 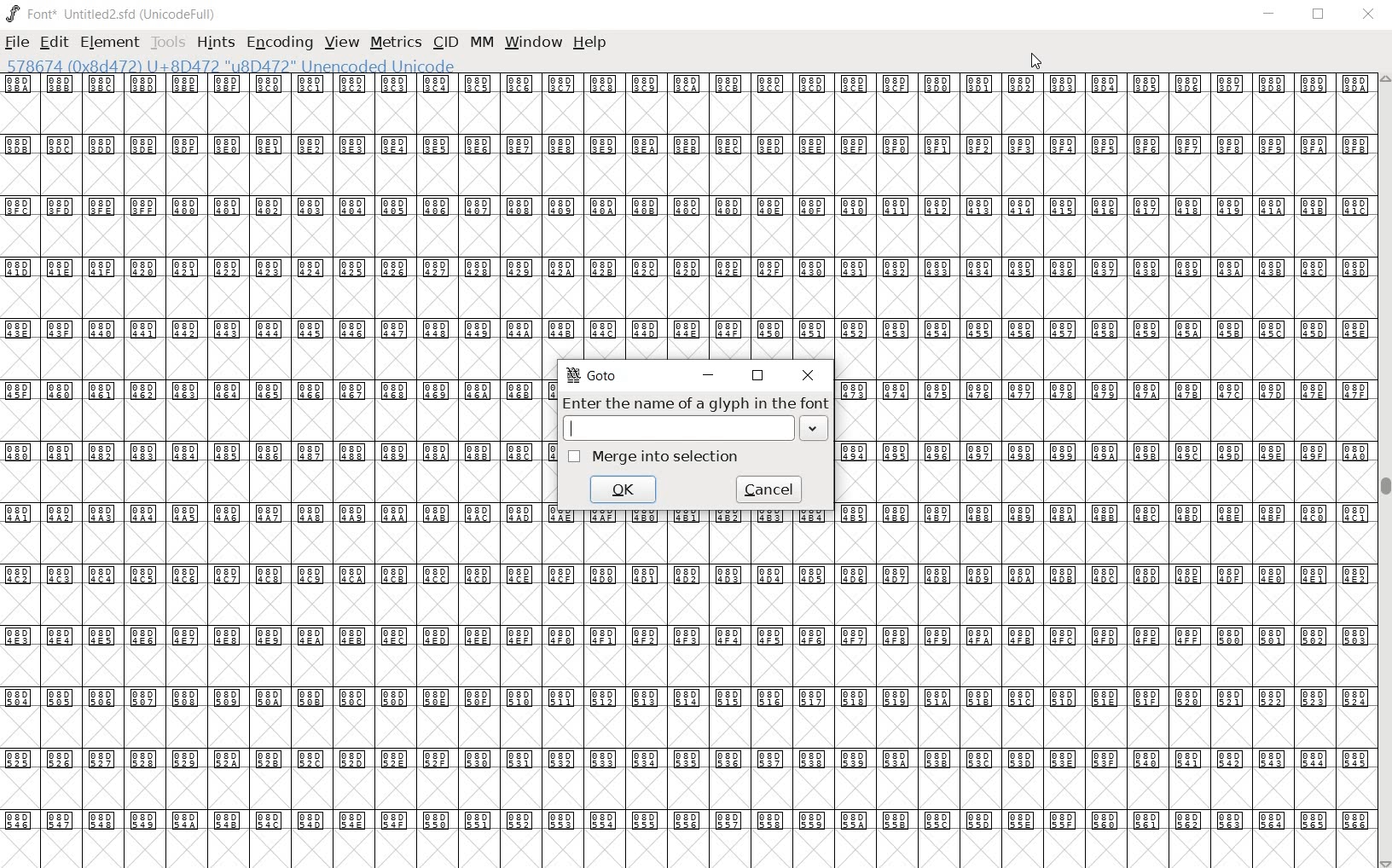 I want to click on encoding, so click(x=281, y=43).